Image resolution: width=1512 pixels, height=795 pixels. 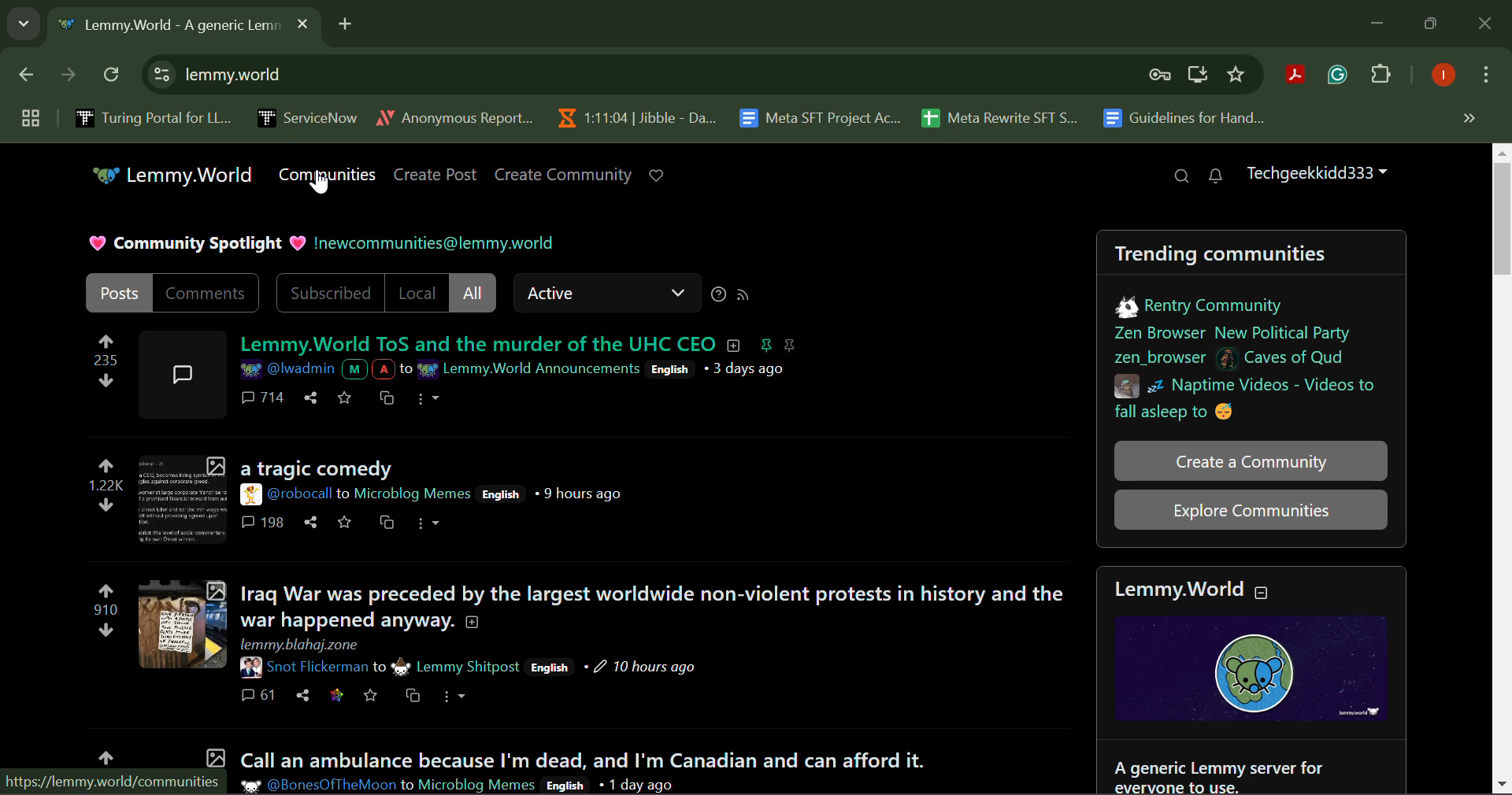 I want to click on UHC CEO Murder News, so click(x=521, y=345).